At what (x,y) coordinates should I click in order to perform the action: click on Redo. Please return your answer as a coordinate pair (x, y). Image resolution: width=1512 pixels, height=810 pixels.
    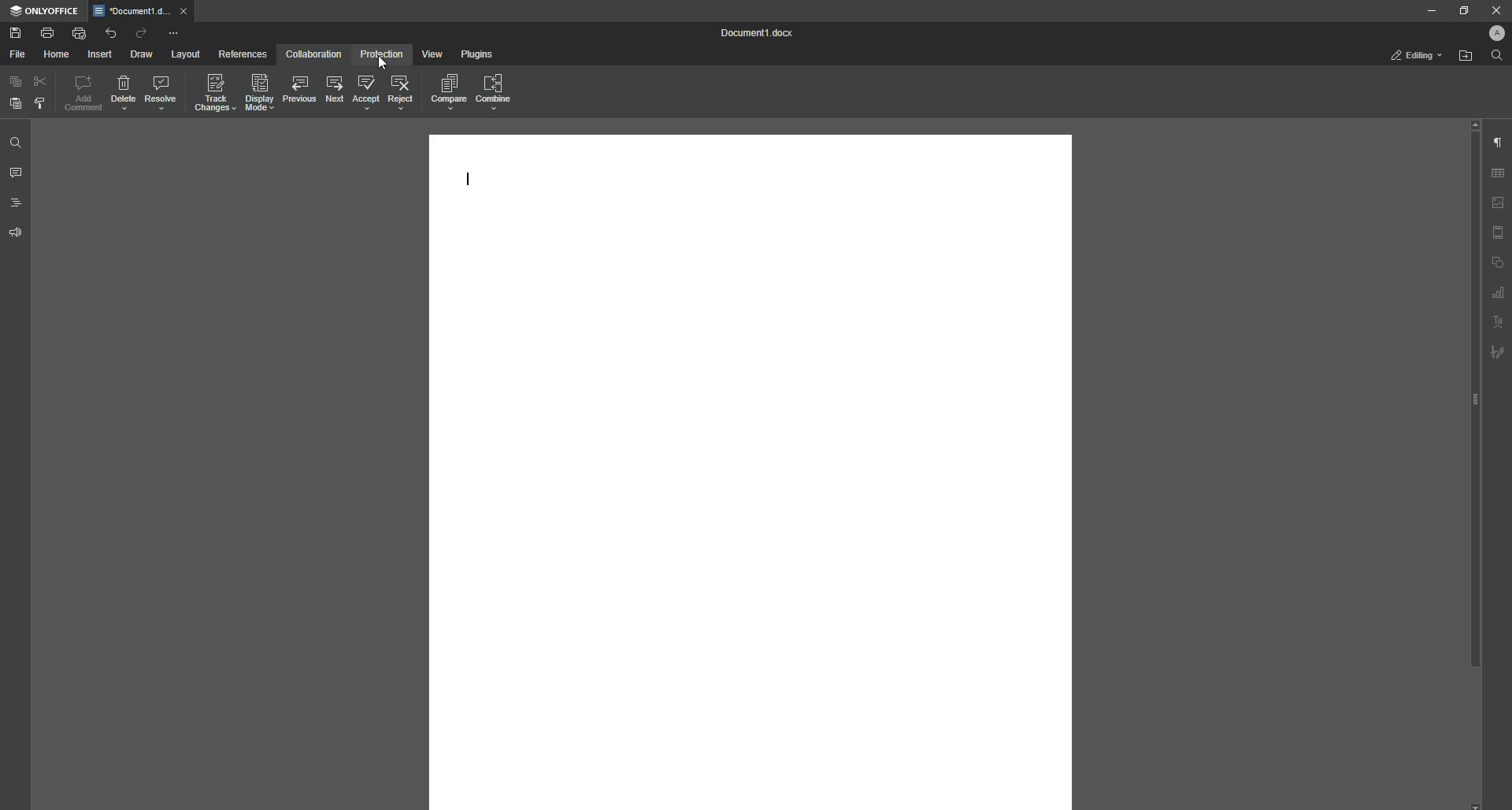
    Looking at the image, I should click on (141, 32).